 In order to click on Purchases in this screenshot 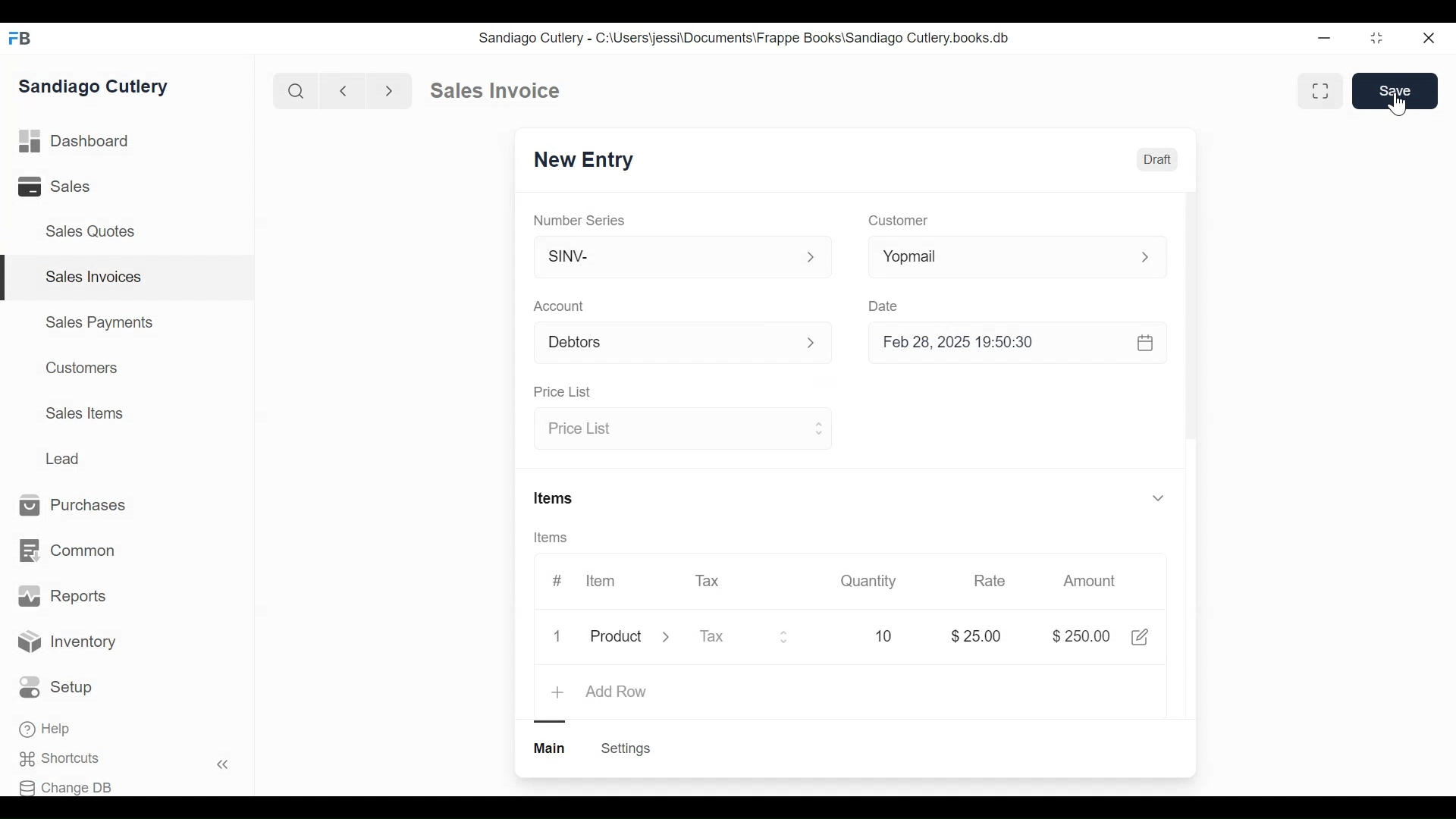, I will do `click(80, 506)`.